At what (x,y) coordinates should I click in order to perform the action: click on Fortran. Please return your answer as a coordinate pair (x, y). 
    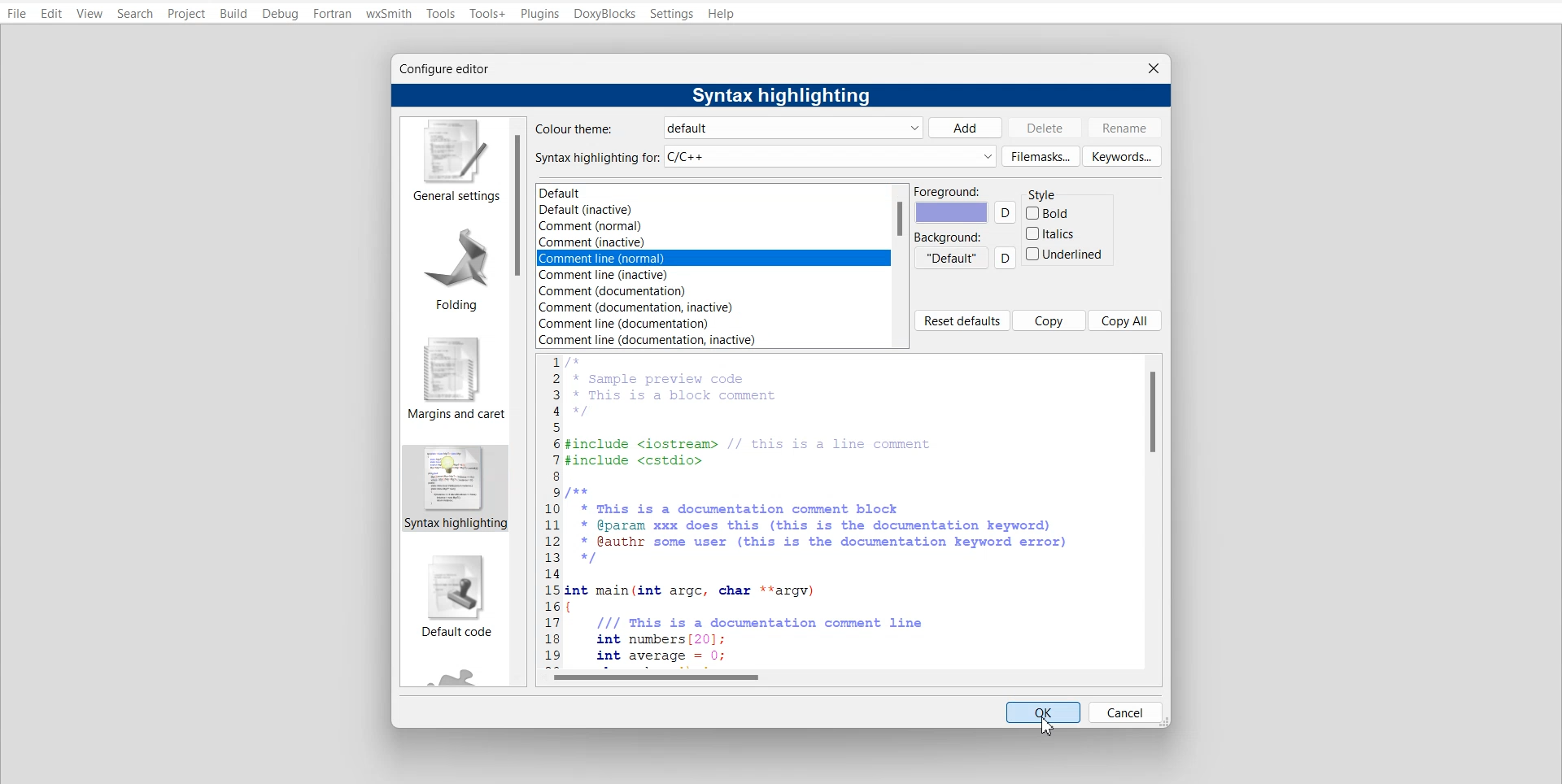
    Looking at the image, I should click on (331, 14).